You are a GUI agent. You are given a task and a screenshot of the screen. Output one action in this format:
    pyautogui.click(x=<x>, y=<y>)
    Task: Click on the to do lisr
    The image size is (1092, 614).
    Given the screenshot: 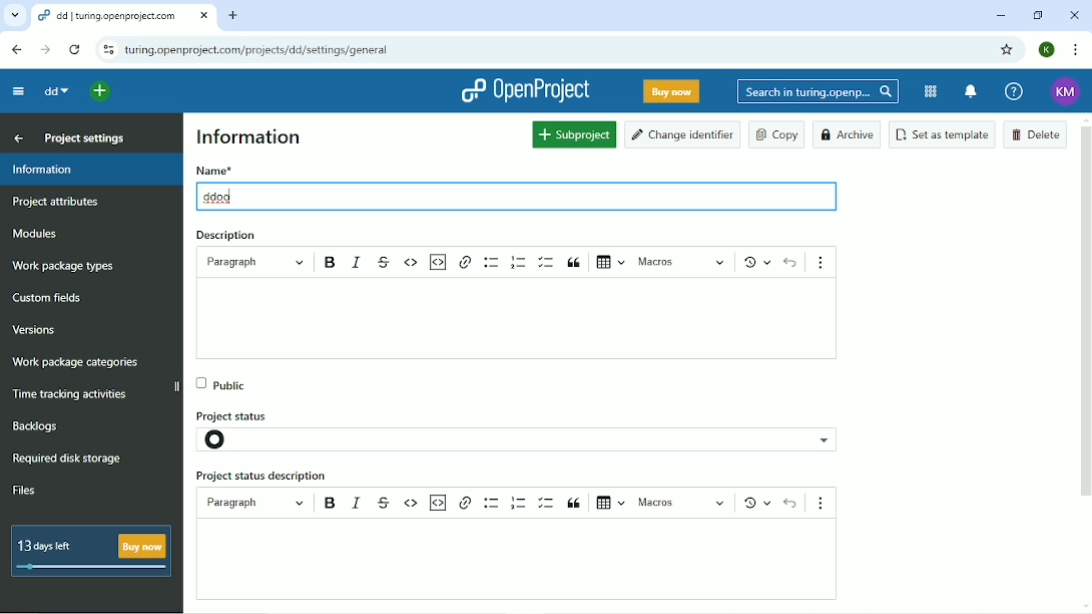 What is the action you would take?
    pyautogui.click(x=547, y=501)
    